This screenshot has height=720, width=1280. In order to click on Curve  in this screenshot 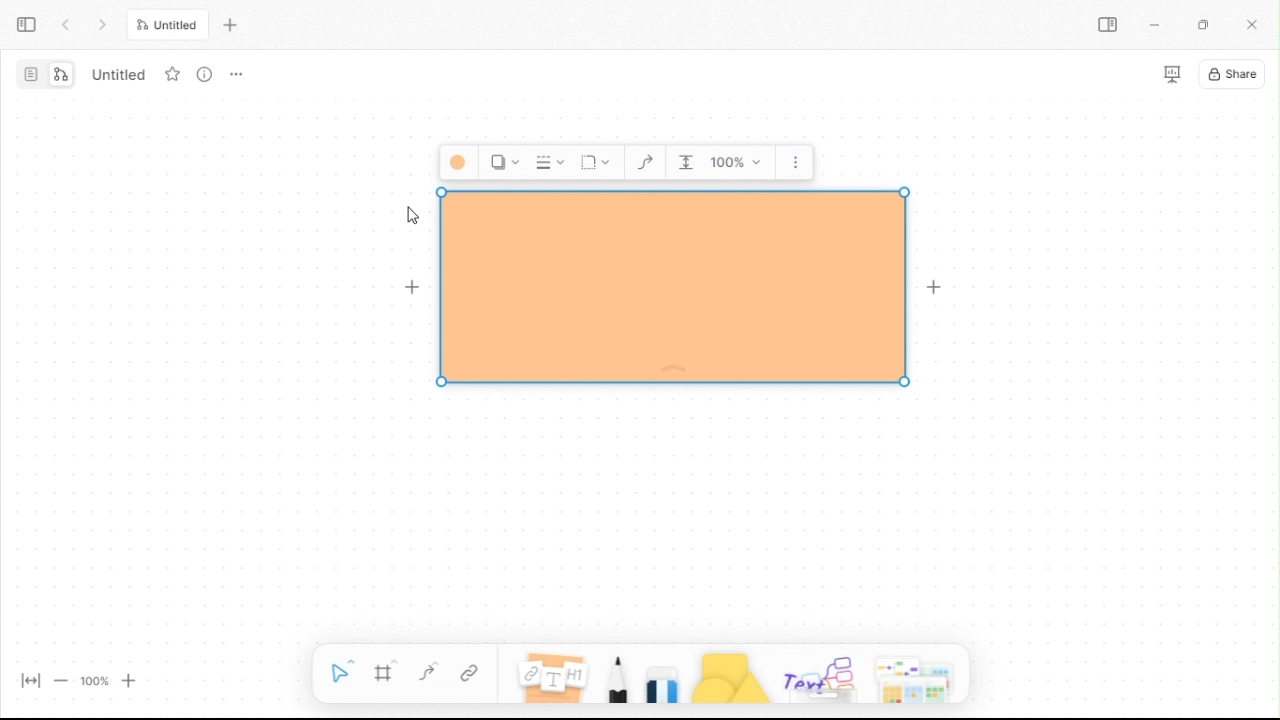, I will do `click(645, 163)`.